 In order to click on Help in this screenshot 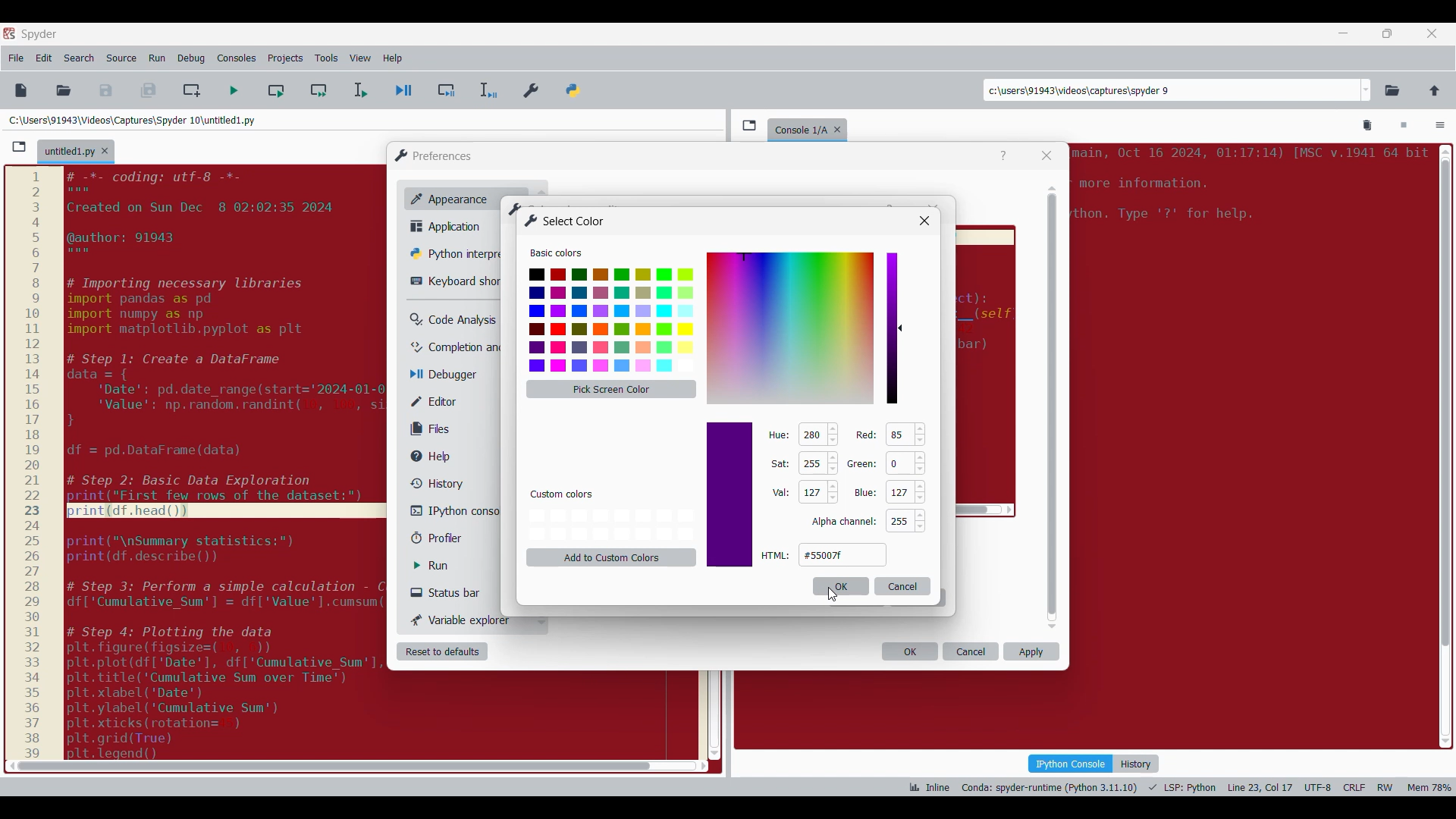, I will do `click(1003, 156)`.